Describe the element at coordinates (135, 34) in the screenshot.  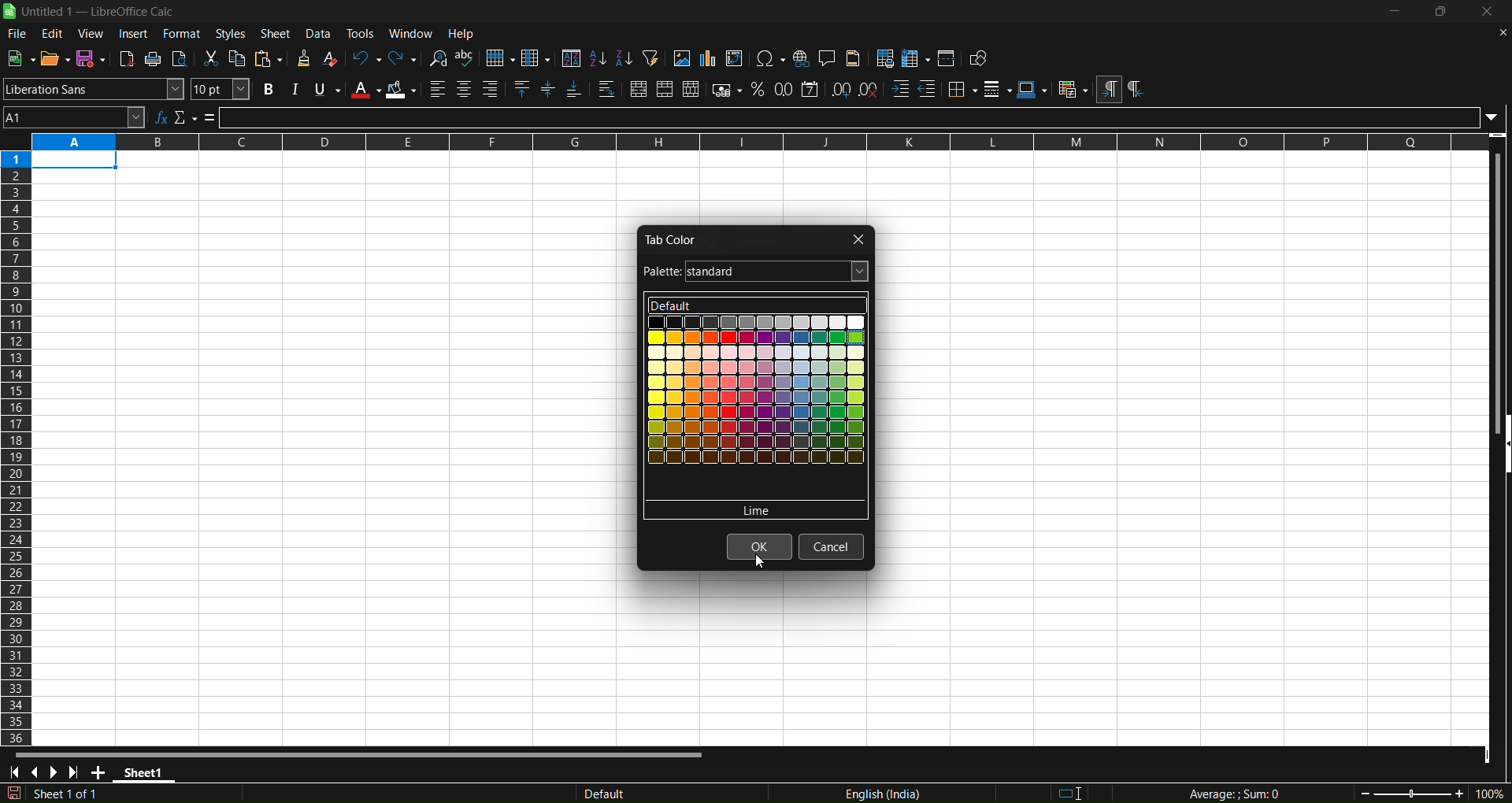
I see `insert` at that location.